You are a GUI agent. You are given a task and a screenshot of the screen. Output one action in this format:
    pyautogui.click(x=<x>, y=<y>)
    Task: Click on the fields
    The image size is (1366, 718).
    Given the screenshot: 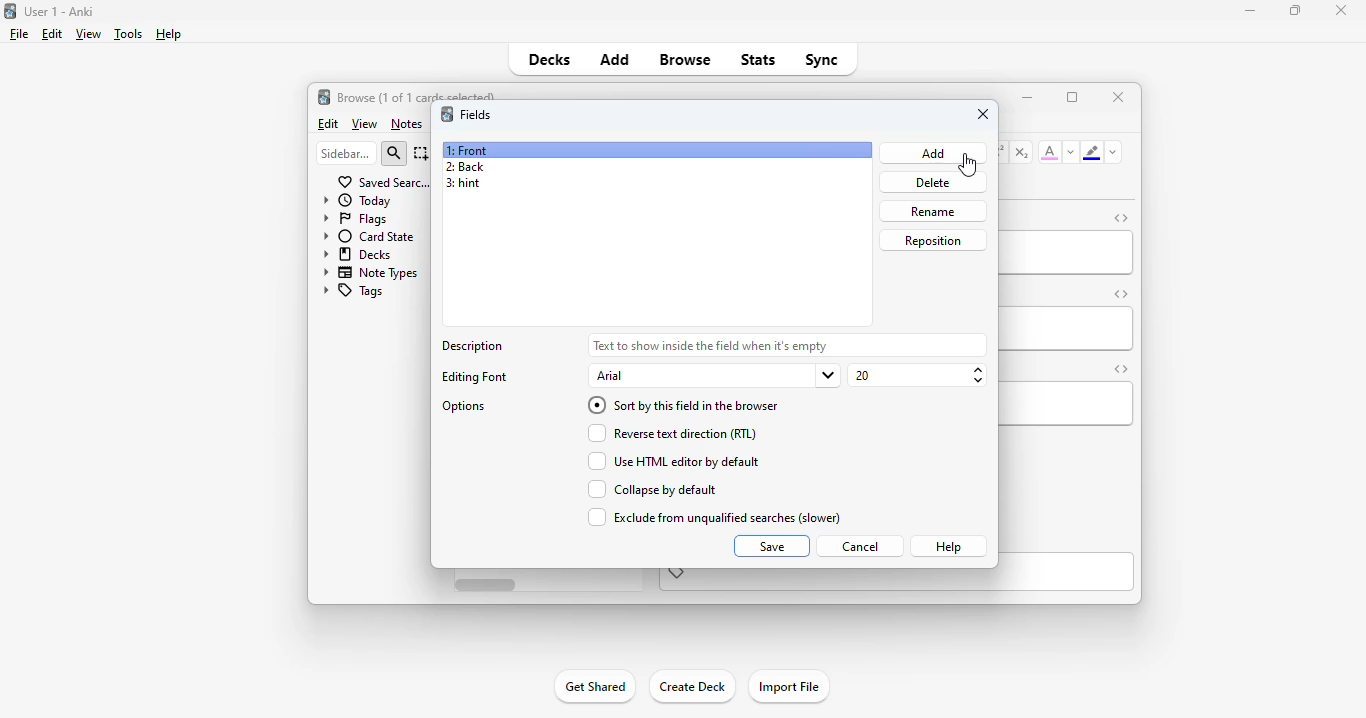 What is the action you would take?
    pyautogui.click(x=476, y=115)
    